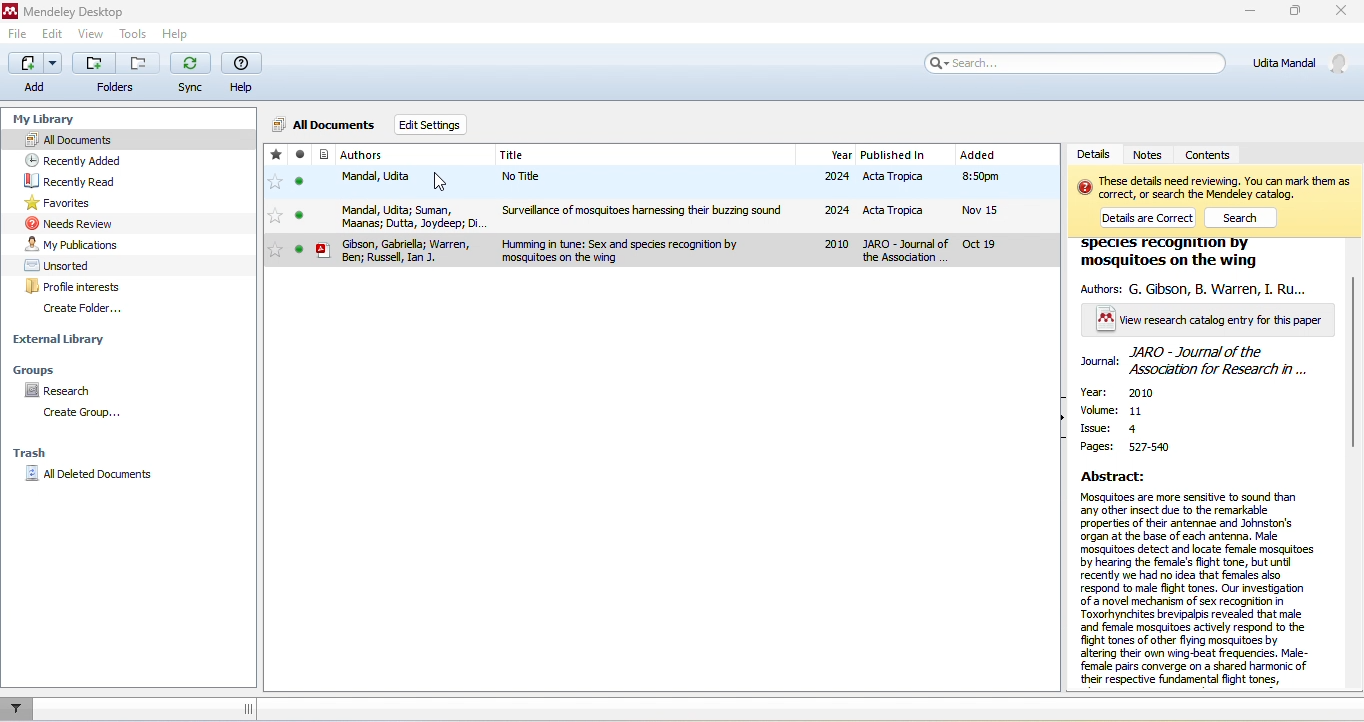  Describe the element at coordinates (649, 214) in the screenshot. I see `surveillance of mosquitoes harnessing their buzzing sound` at that location.